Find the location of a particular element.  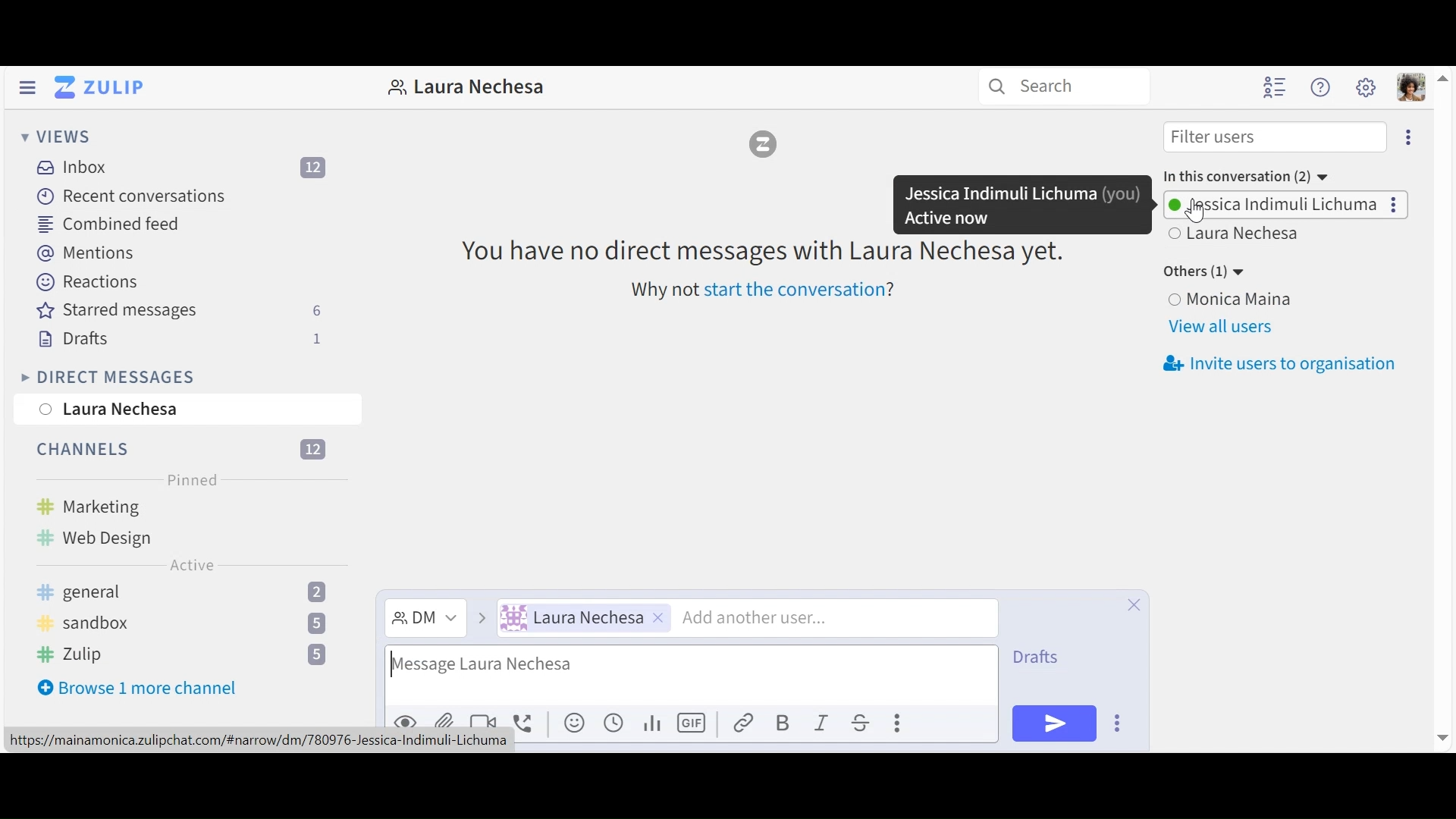

Personal menu is located at coordinates (1413, 89).